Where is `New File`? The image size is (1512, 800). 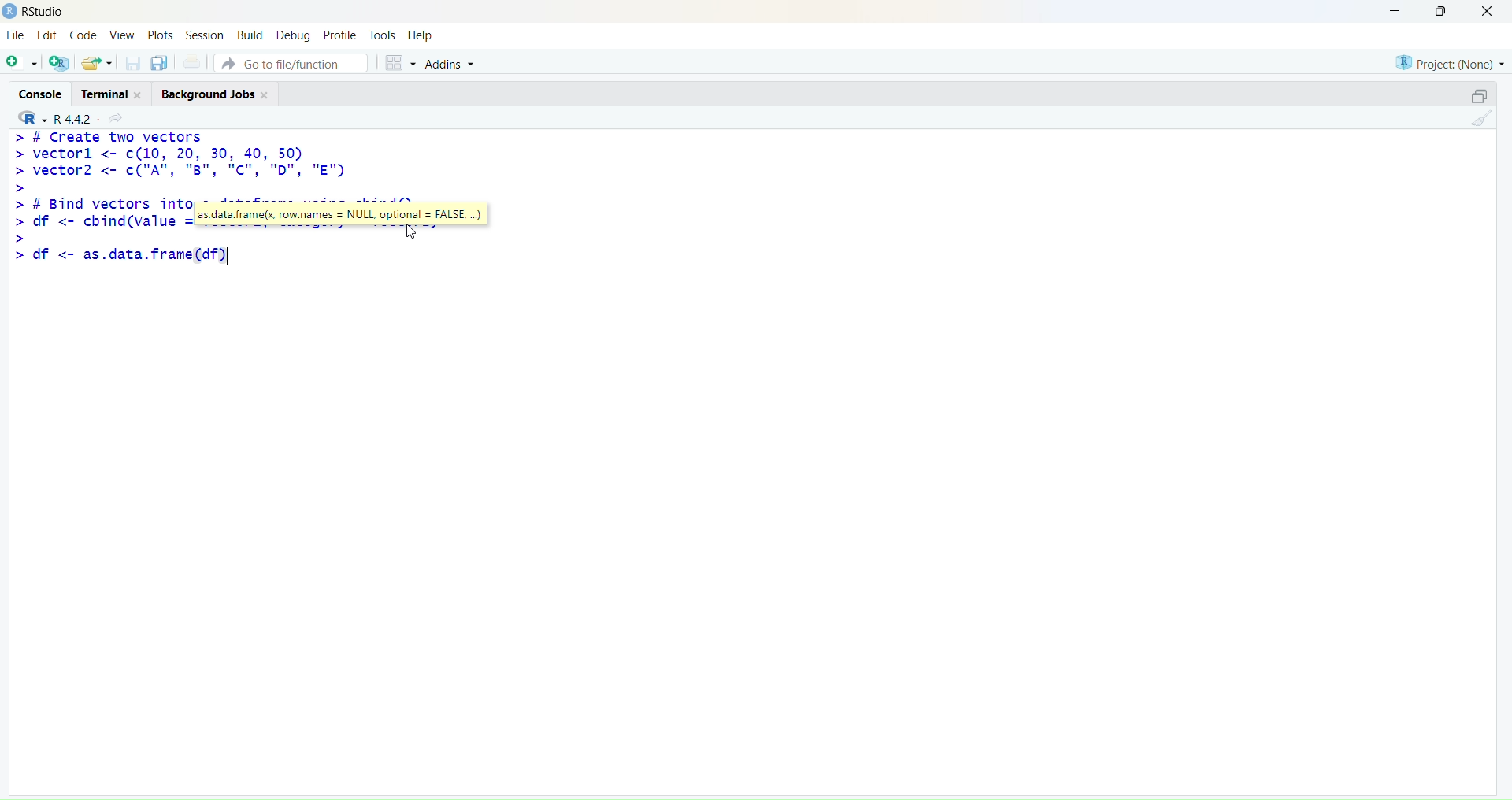 New File is located at coordinates (21, 64).